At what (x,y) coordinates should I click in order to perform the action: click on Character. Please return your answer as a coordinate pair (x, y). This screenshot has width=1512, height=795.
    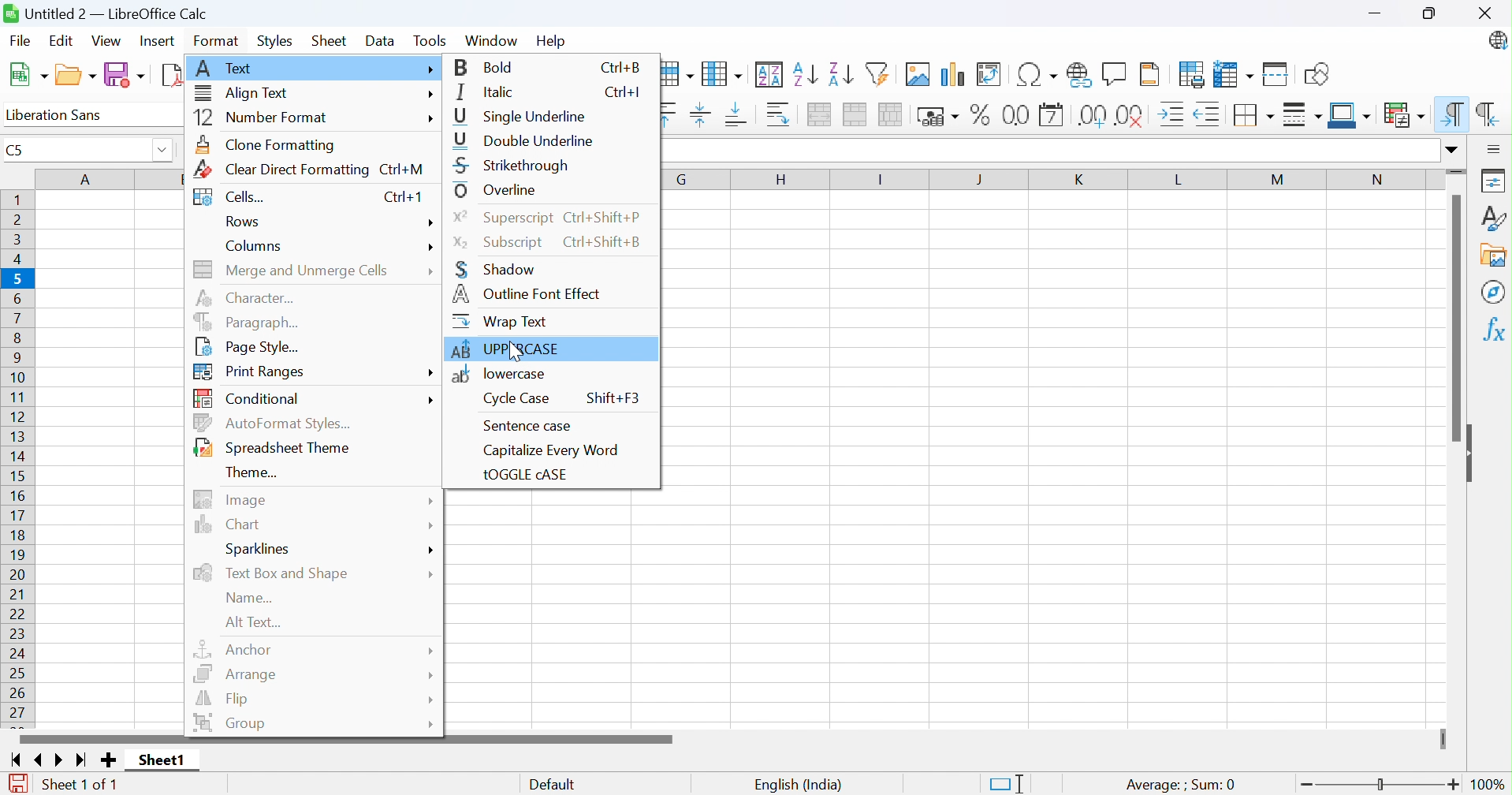
    Looking at the image, I should click on (246, 299).